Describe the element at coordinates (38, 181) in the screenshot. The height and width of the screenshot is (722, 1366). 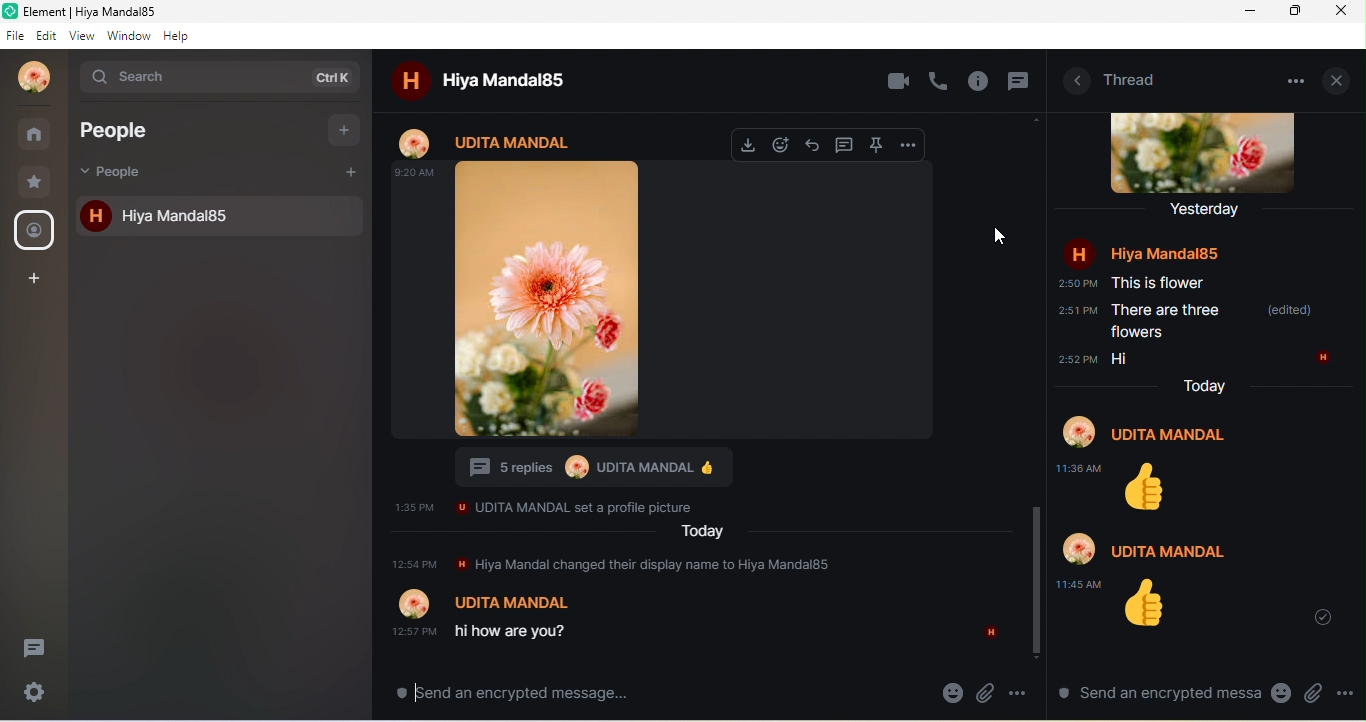
I see `favourite` at that location.